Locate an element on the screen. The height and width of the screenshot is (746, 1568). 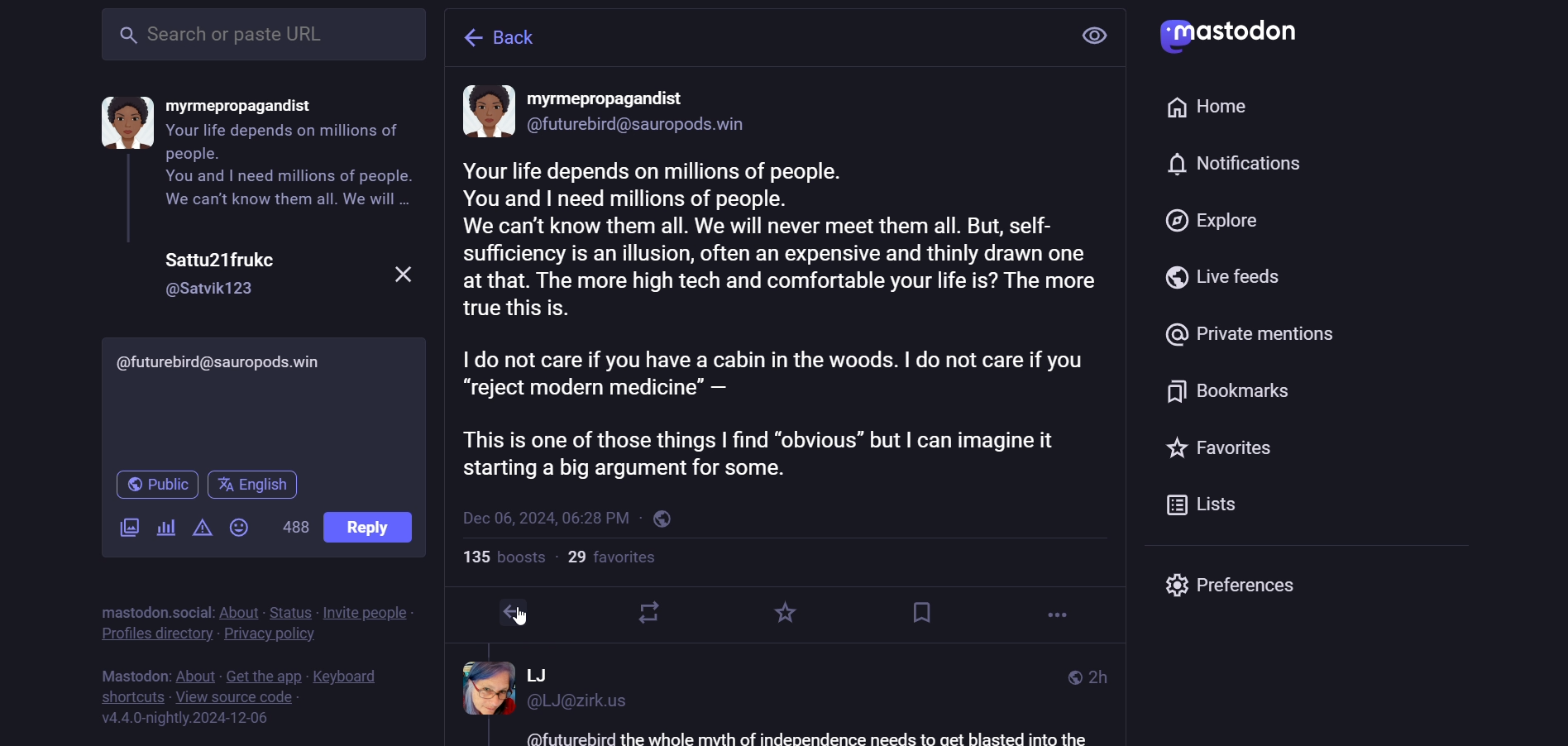
images/videos is located at coordinates (122, 527).